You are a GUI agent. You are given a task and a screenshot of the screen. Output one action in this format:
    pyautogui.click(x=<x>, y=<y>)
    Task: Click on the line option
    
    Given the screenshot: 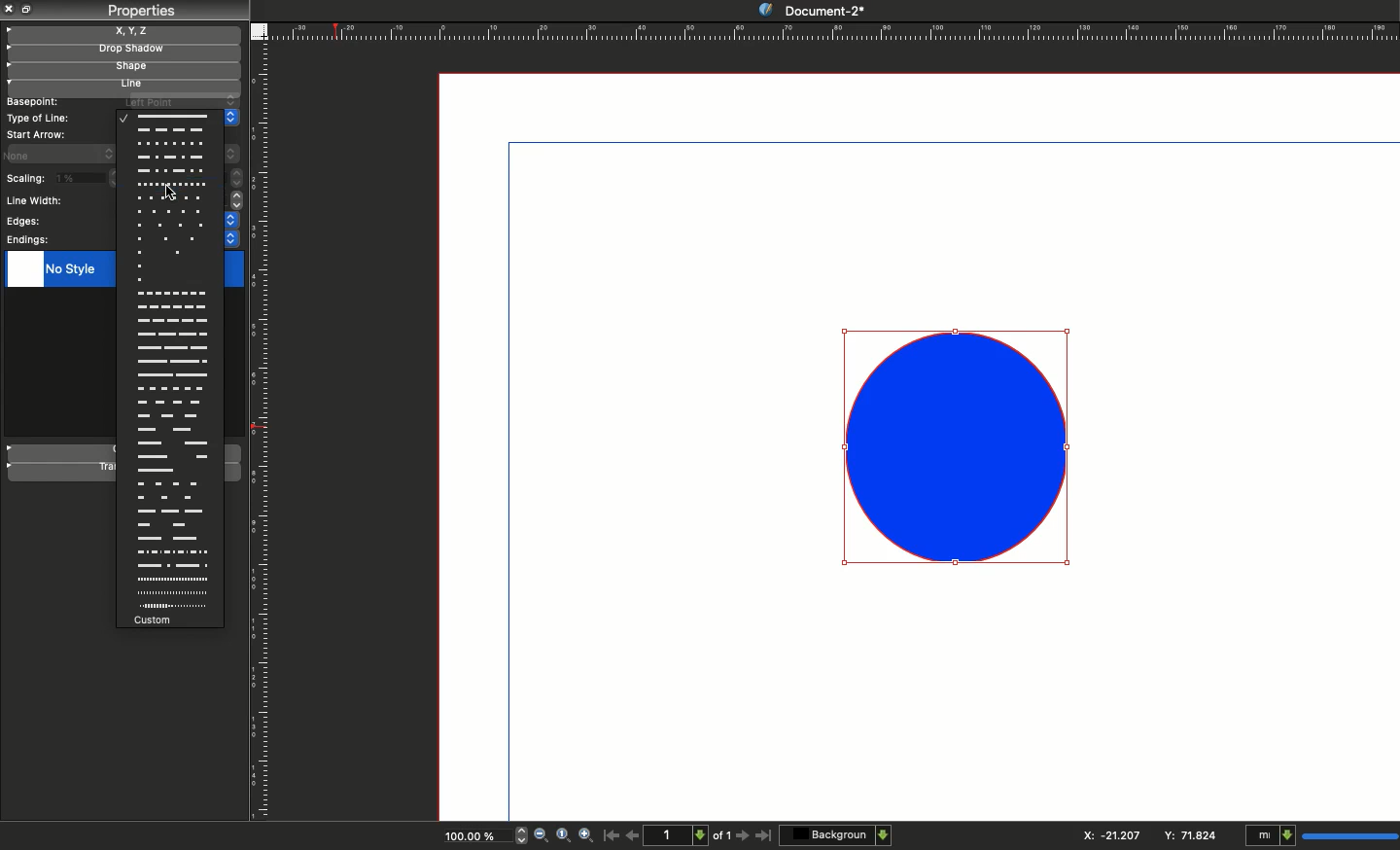 What is the action you would take?
    pyautogui.click(x=171, y=294)
    